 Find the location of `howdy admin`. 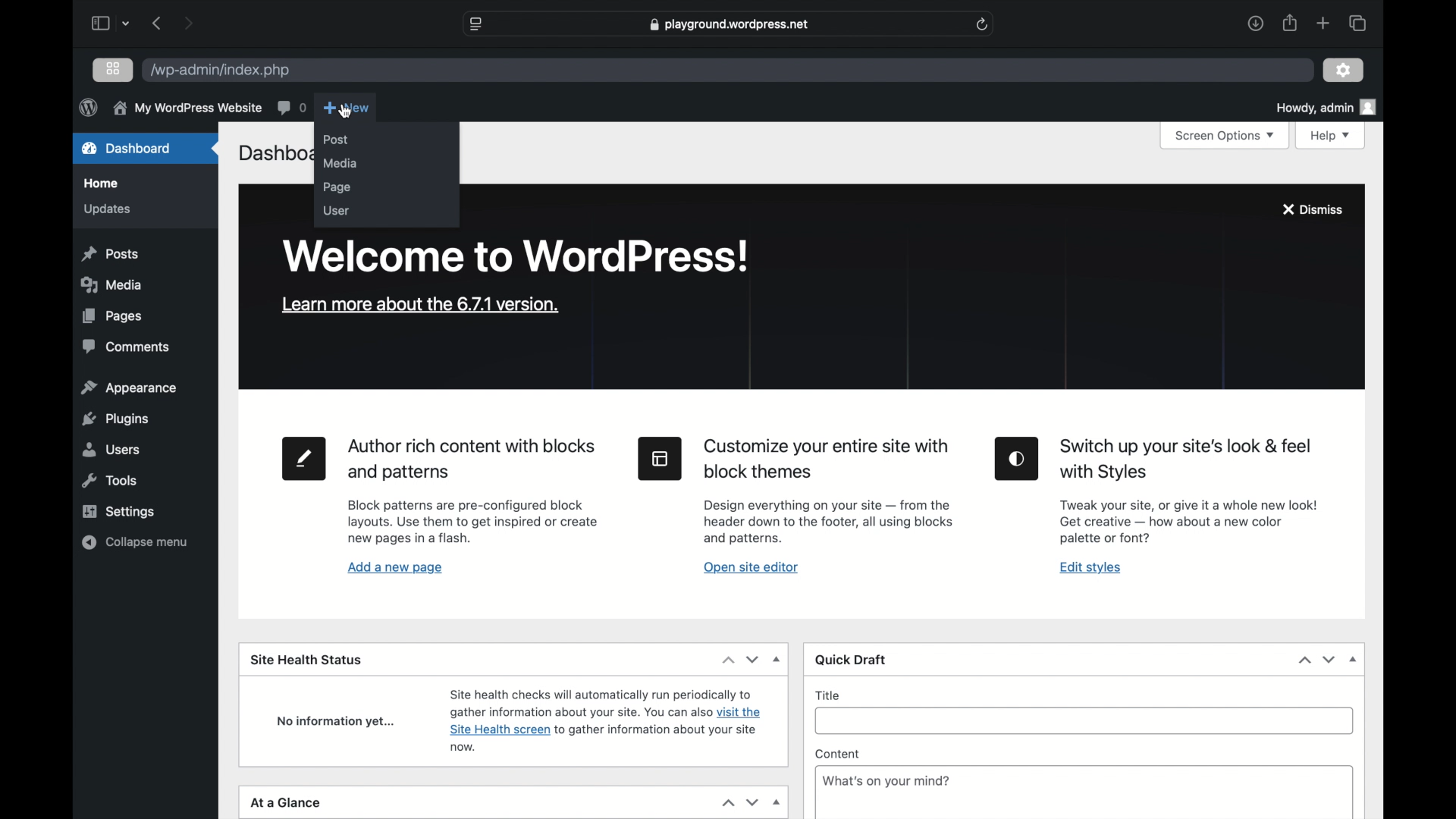

howdy admin is located at coordinates (1325, 108).